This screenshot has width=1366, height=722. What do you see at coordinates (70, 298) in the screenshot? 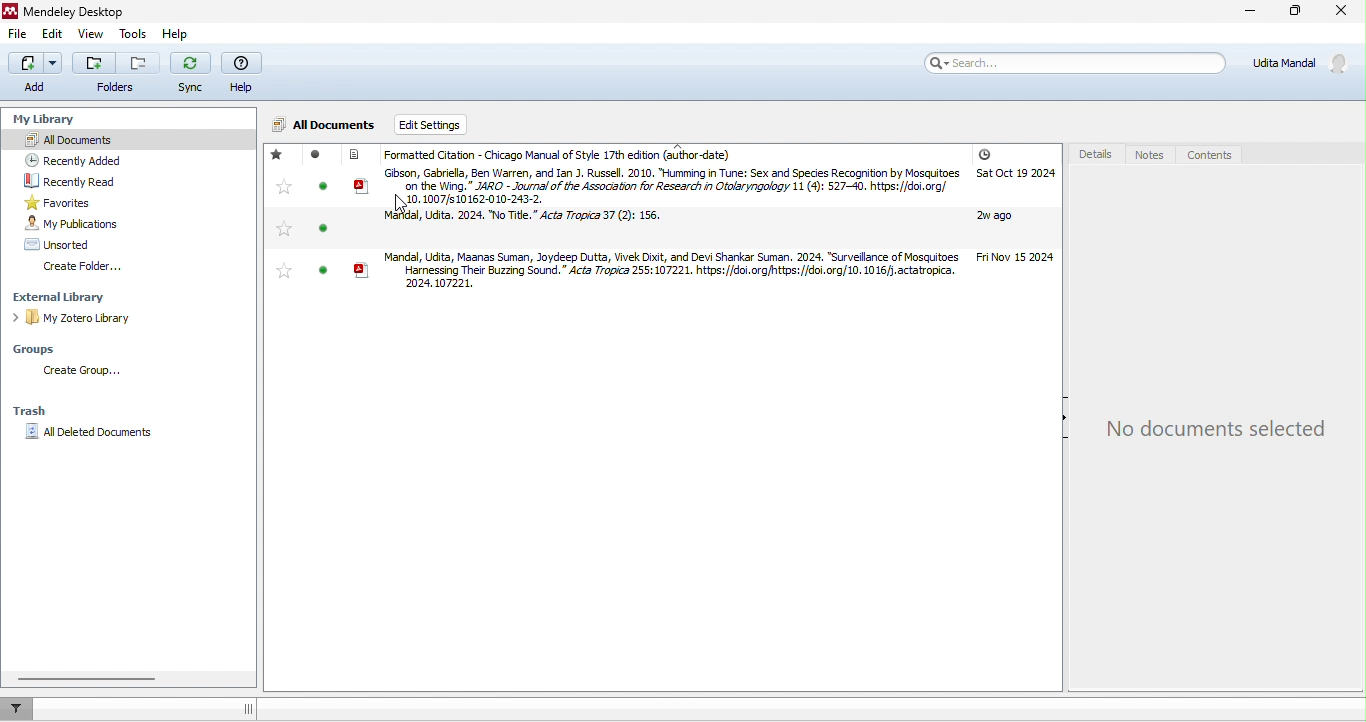
I see `external library` at bounding box center [70, 298].